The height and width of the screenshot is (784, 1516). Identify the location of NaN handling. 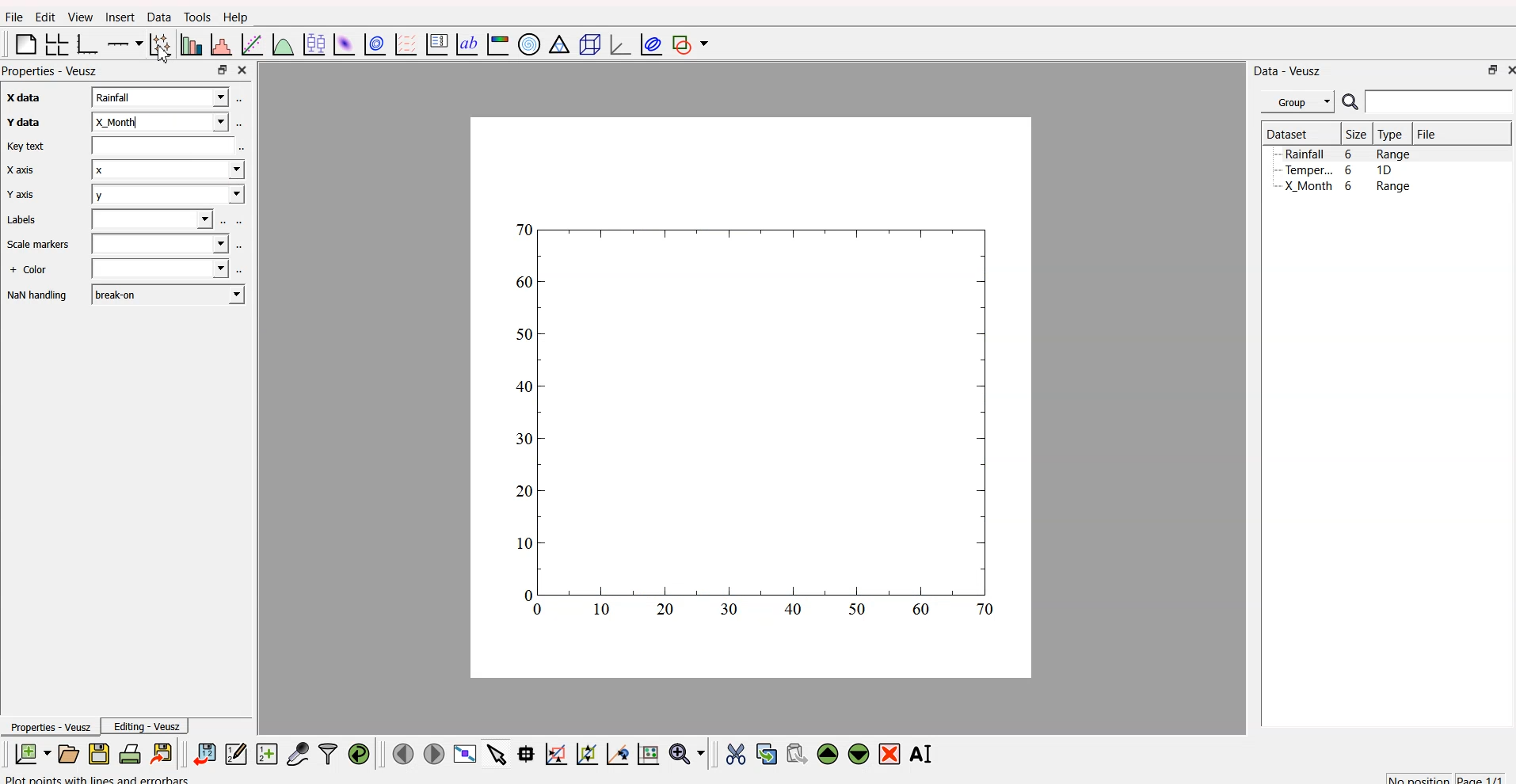
(38, 296).